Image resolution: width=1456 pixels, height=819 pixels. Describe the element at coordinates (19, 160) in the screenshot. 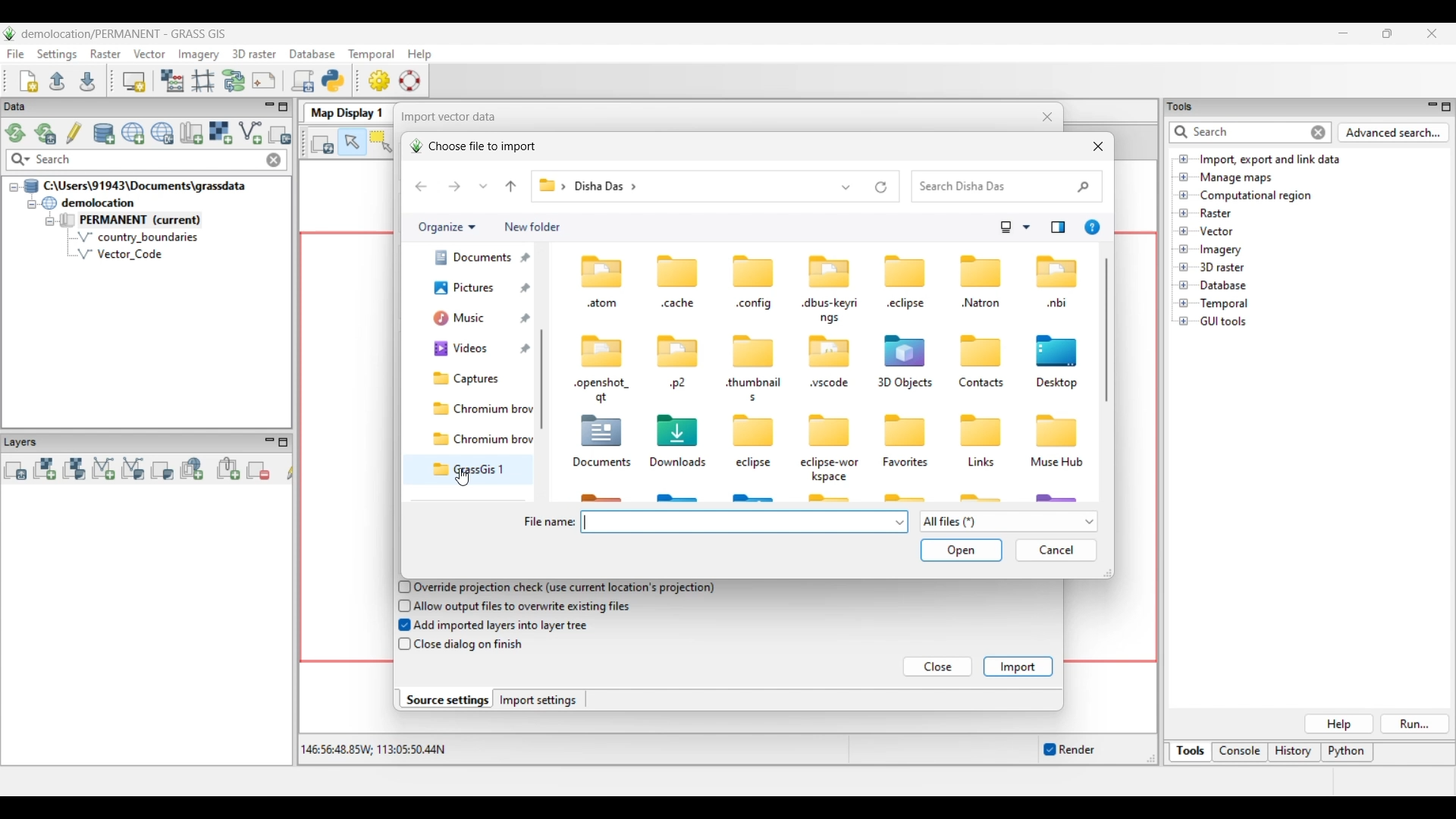

I see `Search specific maps` at that location.